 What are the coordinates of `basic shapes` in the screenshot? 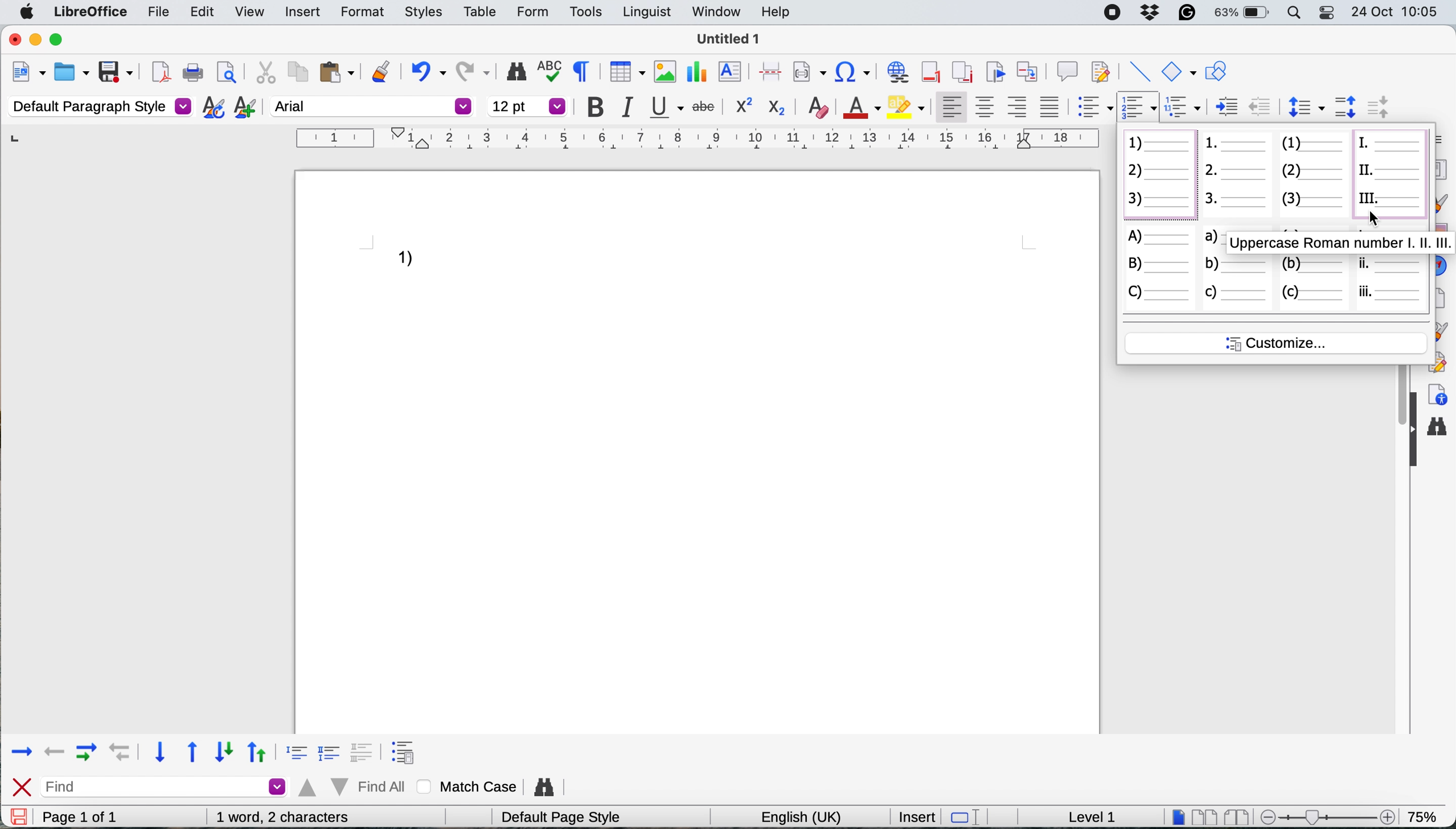 It's located at (1178, 71).